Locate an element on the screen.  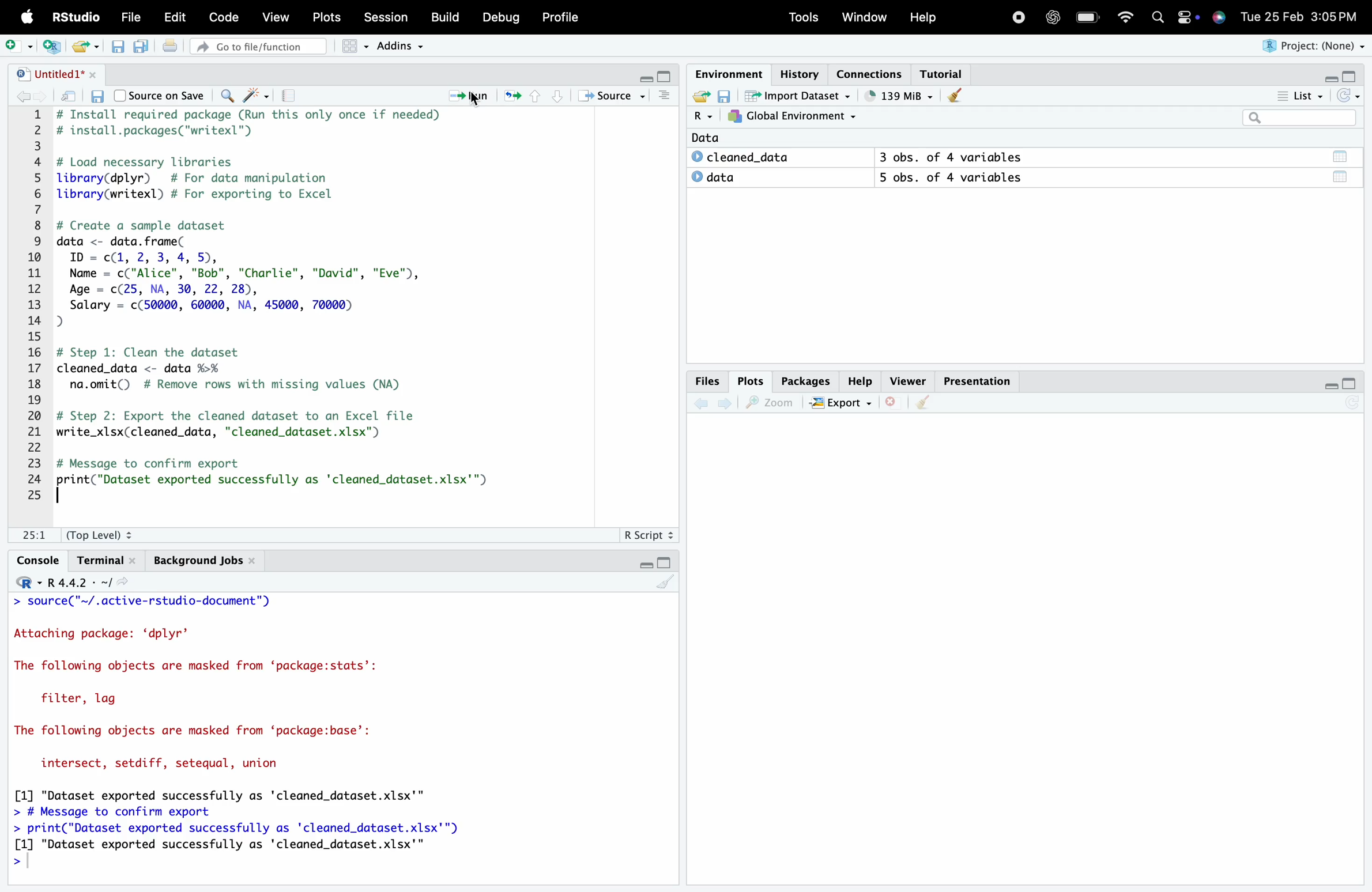
File is located at coordinates (133, 18).